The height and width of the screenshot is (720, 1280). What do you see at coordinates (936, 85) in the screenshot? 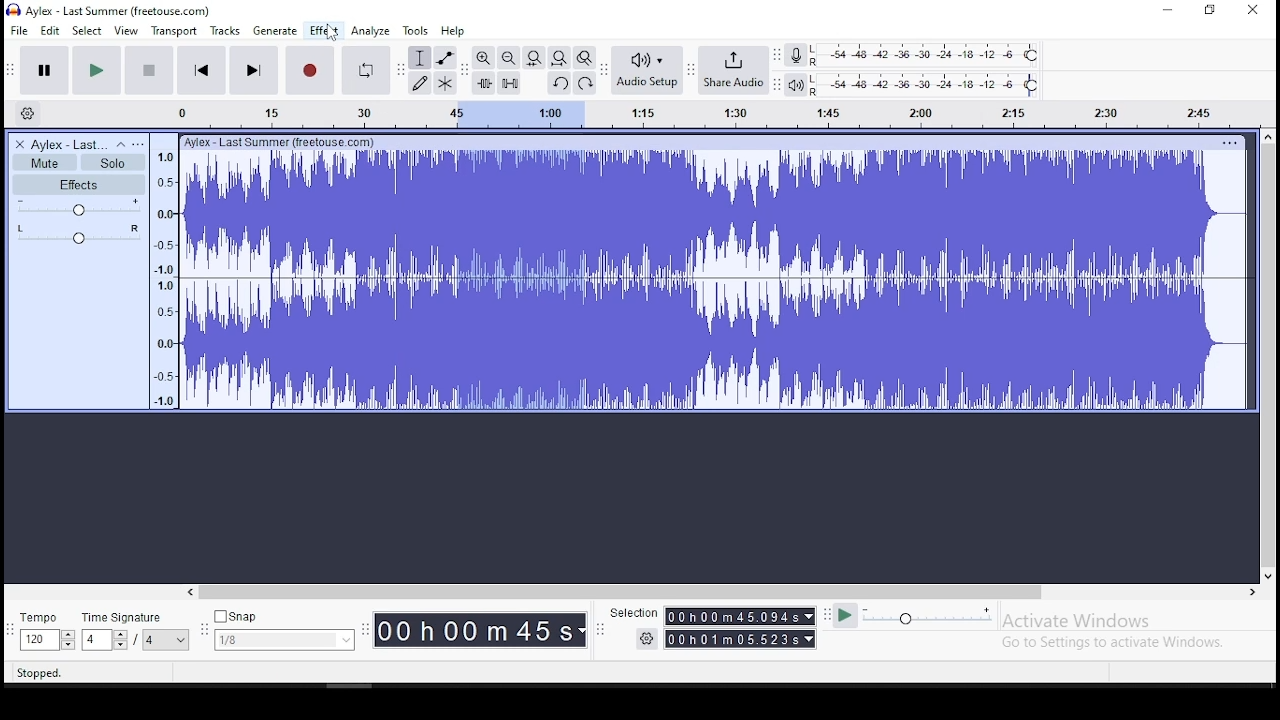
I see `playback level` at bounding box center [936, 85].